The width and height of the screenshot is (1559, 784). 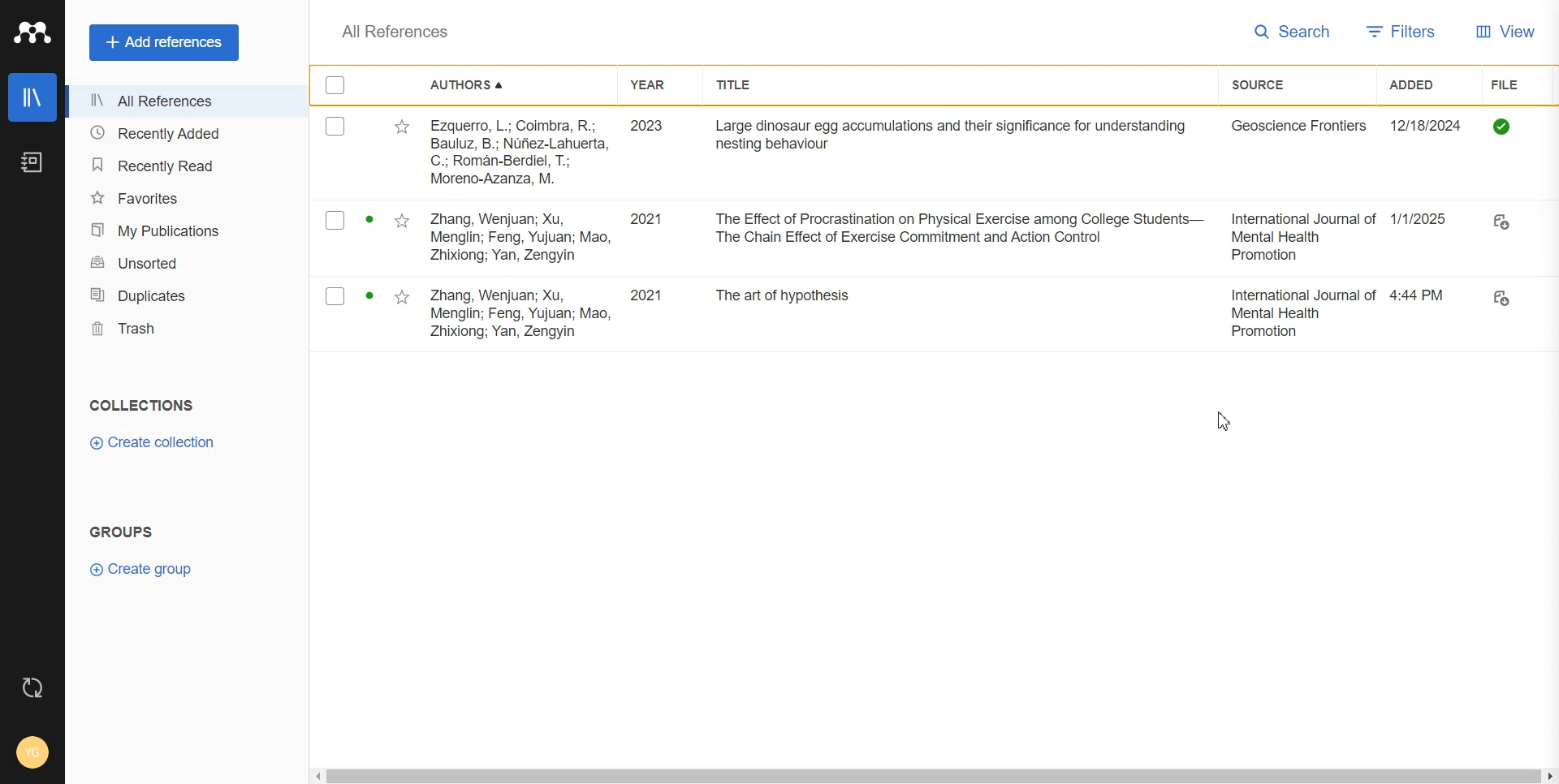 What do you see at coordinates (1415, 86) in the screenshot?
I see `Added` at bounding box center [1415, 86].